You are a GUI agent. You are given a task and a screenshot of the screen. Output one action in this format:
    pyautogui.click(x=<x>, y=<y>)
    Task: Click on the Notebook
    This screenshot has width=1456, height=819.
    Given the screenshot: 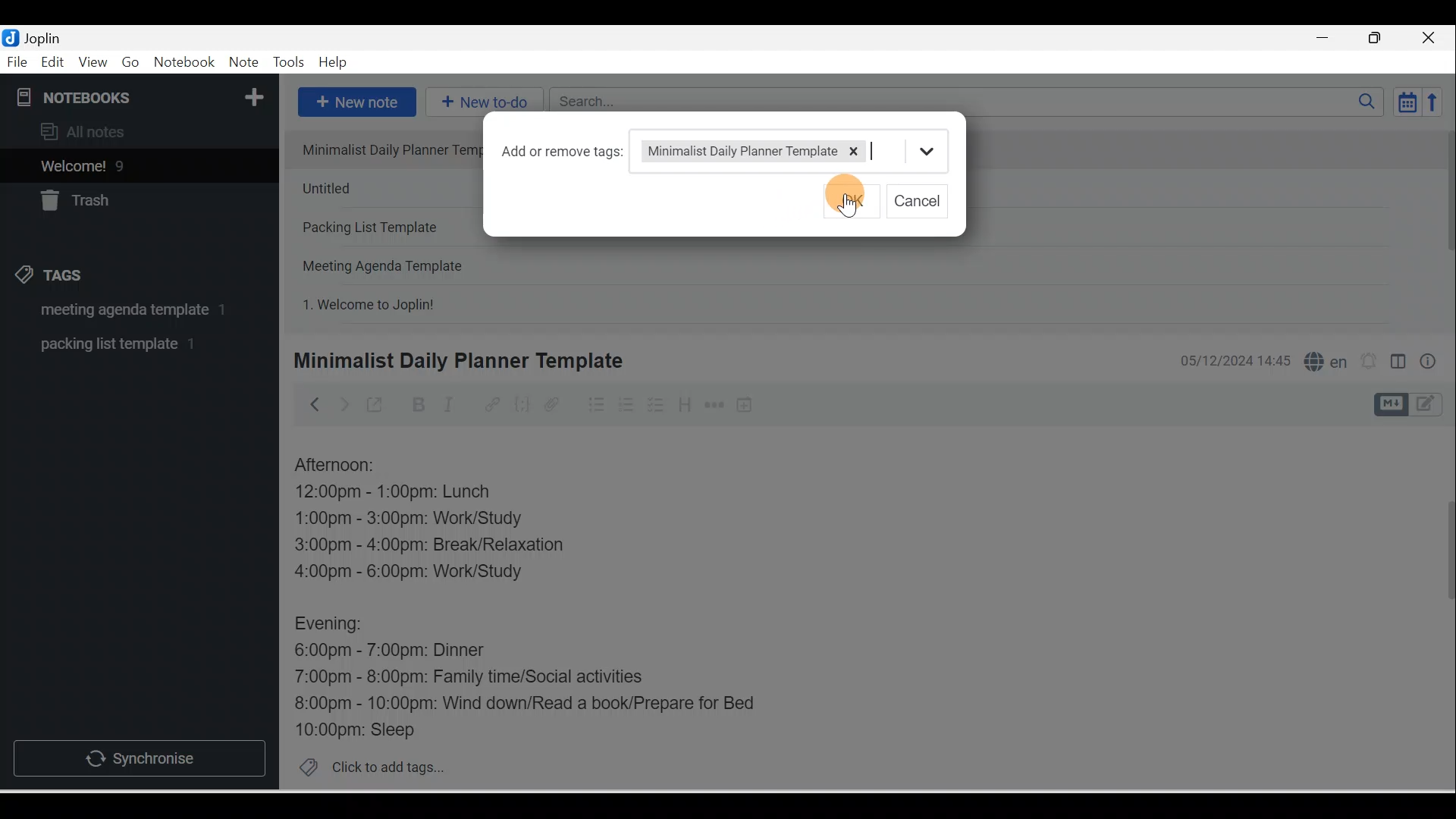 What is the action you would take?
    pyautogui.click(x=184, y=63)
    